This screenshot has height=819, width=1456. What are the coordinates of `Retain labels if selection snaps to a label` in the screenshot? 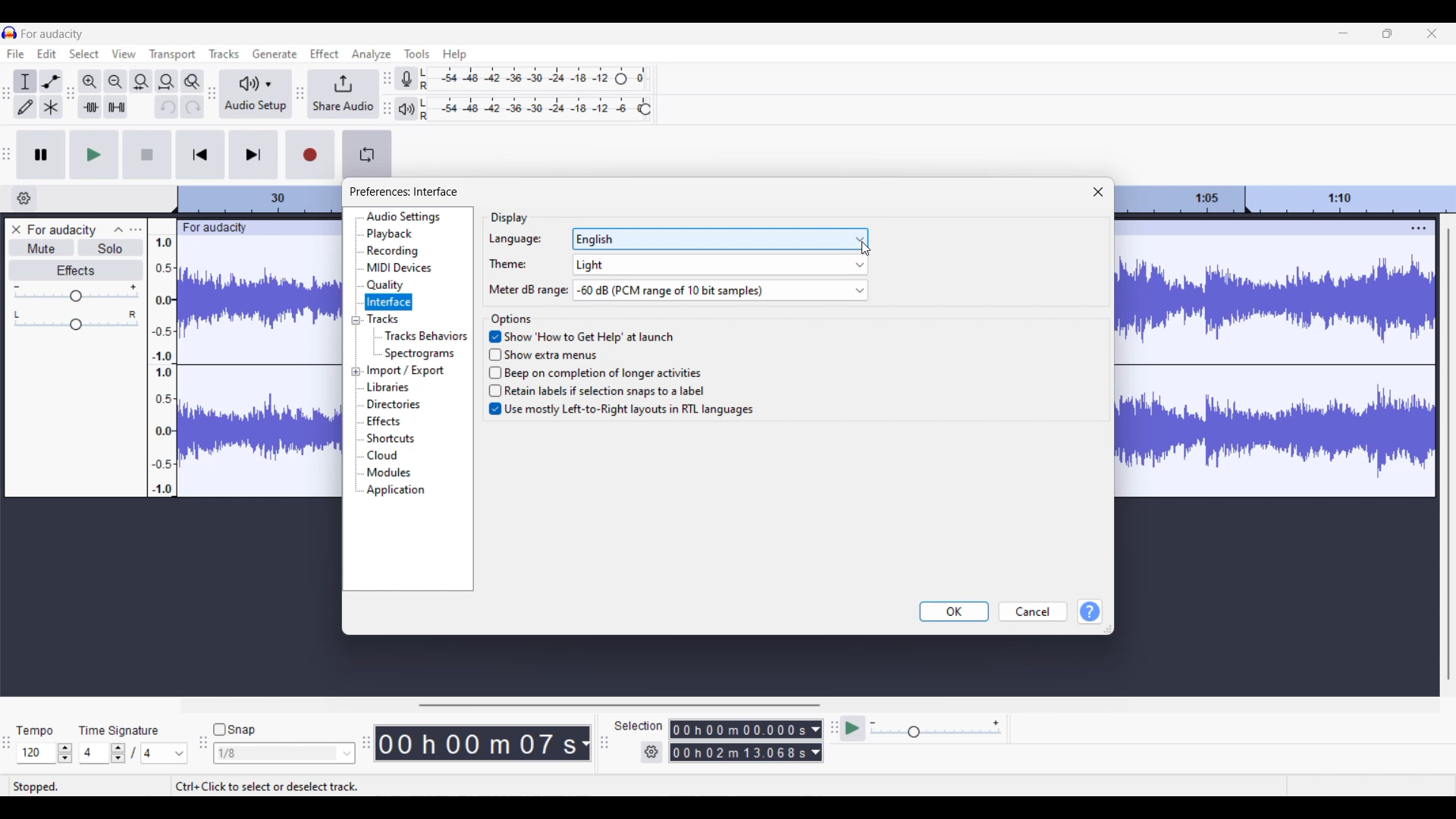 It's located at (604, 391).